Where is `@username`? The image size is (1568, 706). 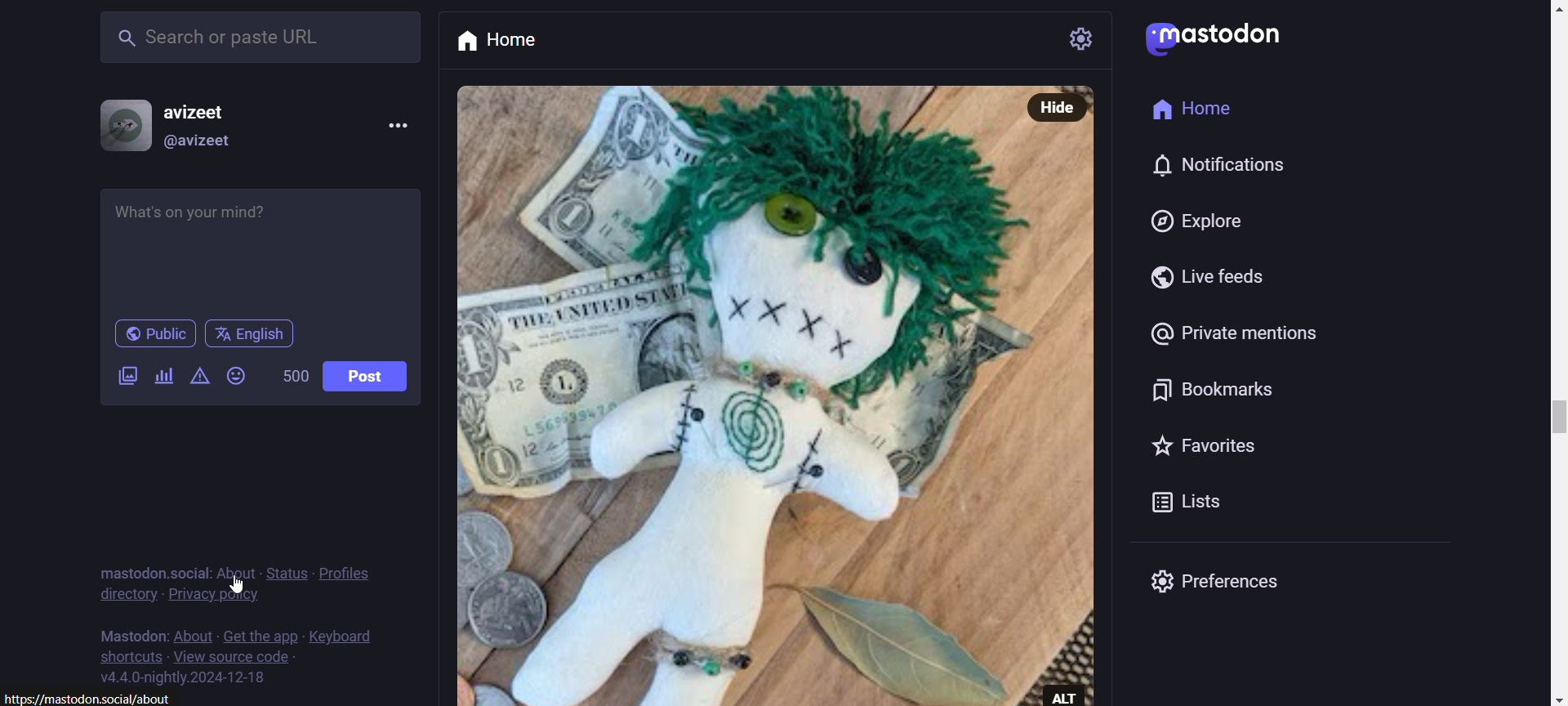 @username is located at coordinates (199, 145).